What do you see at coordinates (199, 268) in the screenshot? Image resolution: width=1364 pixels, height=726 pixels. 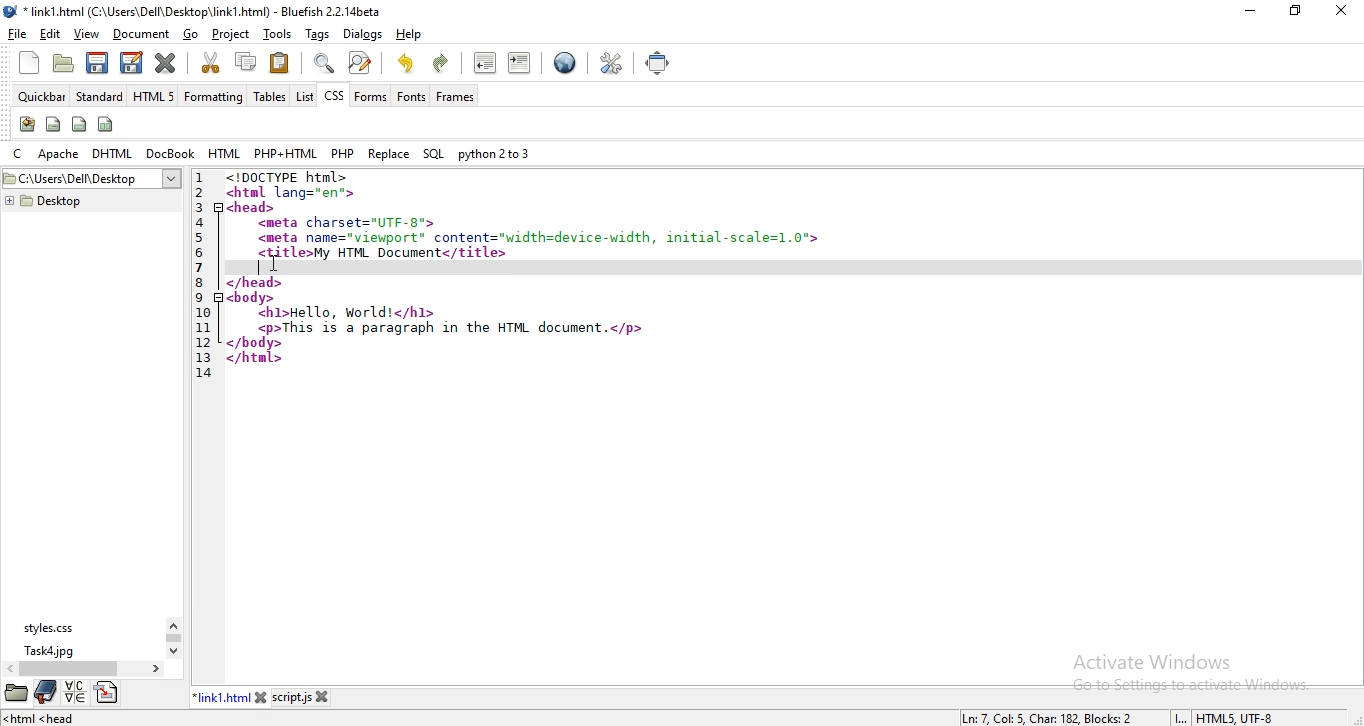 I see `7` at bounding box center [199, 268].